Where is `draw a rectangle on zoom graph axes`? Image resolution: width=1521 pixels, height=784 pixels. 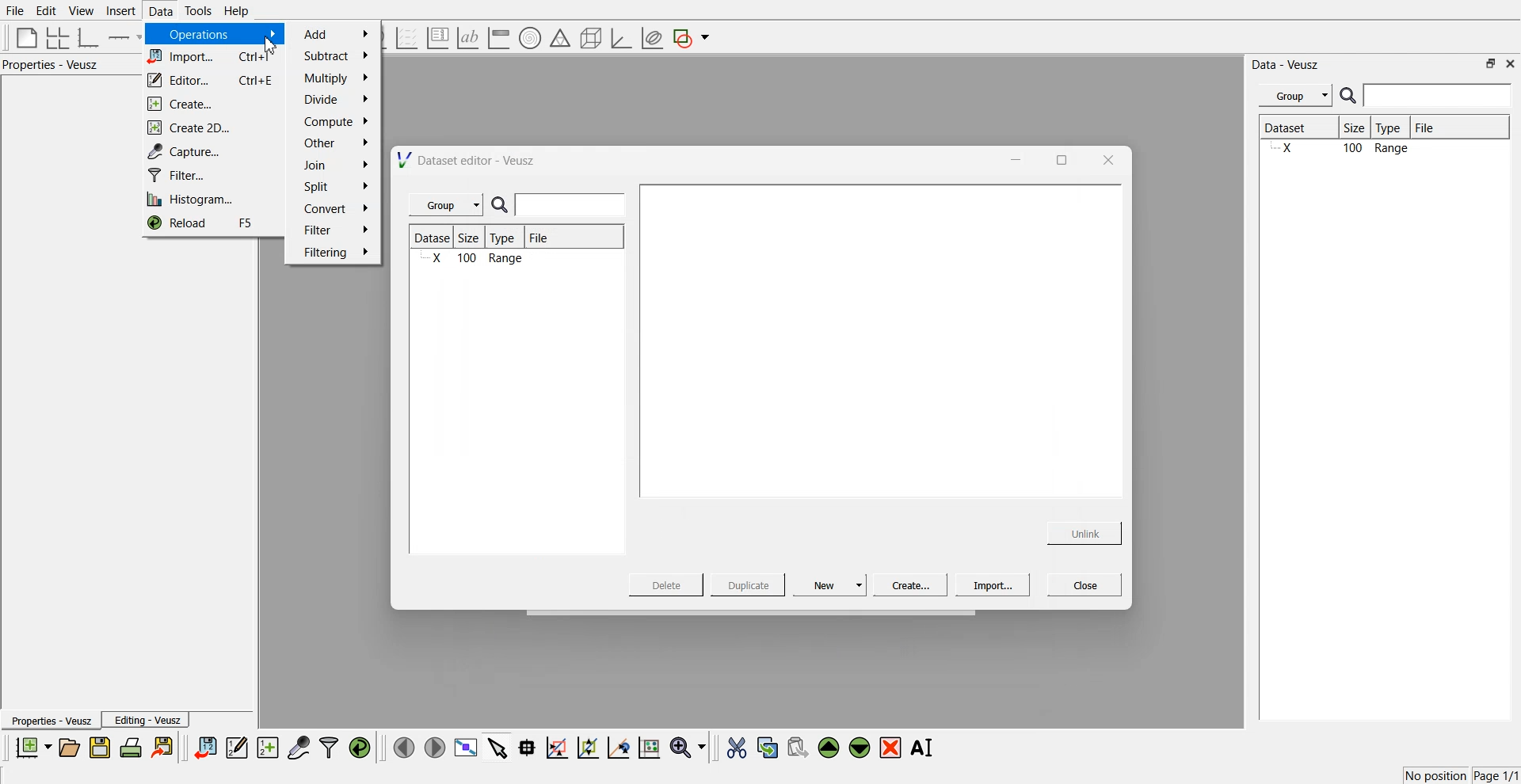
draw a rectangle on zoom graph axes is located at coordinates (556, 746).